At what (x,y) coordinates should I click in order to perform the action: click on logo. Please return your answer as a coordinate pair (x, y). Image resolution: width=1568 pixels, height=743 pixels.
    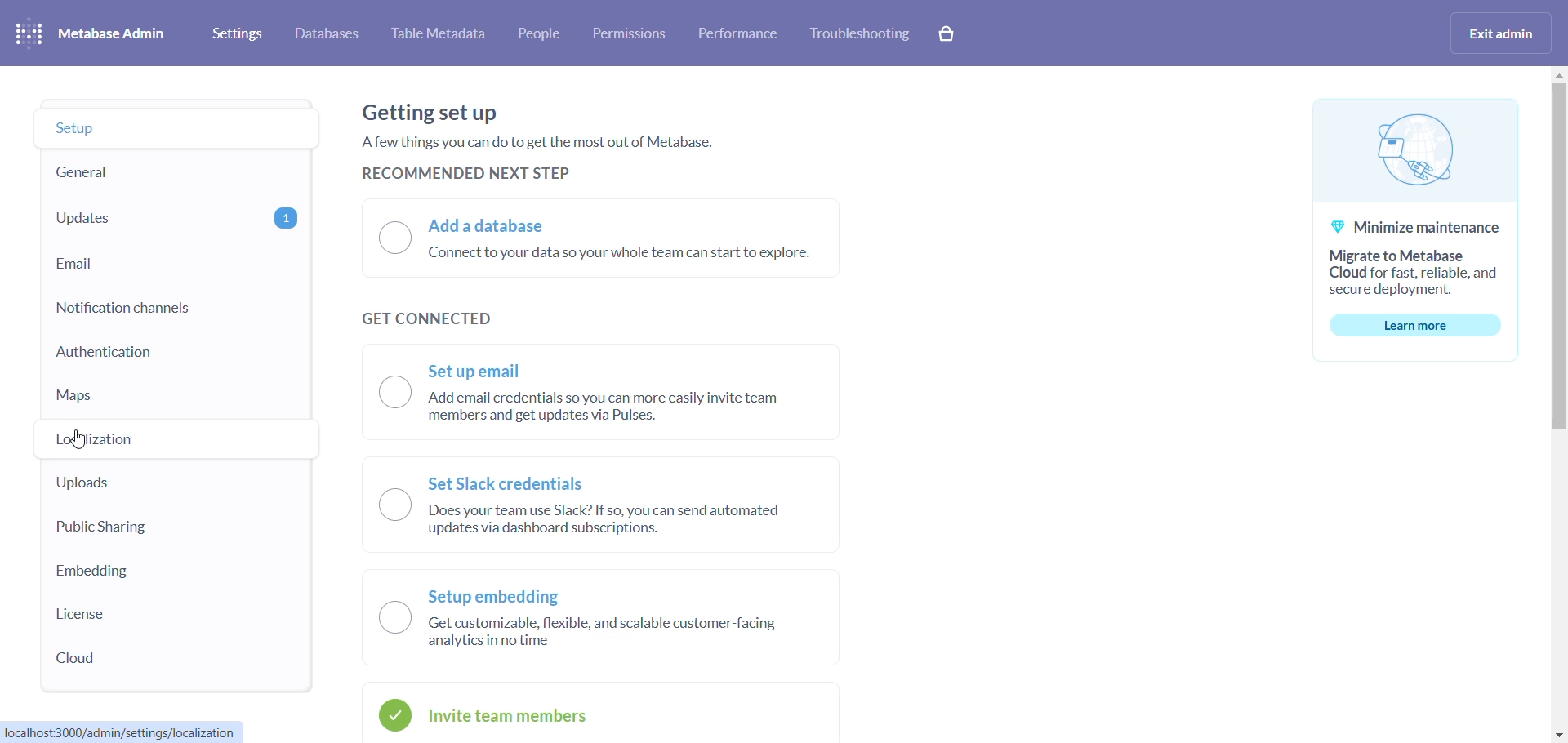
    Looking at the image, I should click on (1414, 149).